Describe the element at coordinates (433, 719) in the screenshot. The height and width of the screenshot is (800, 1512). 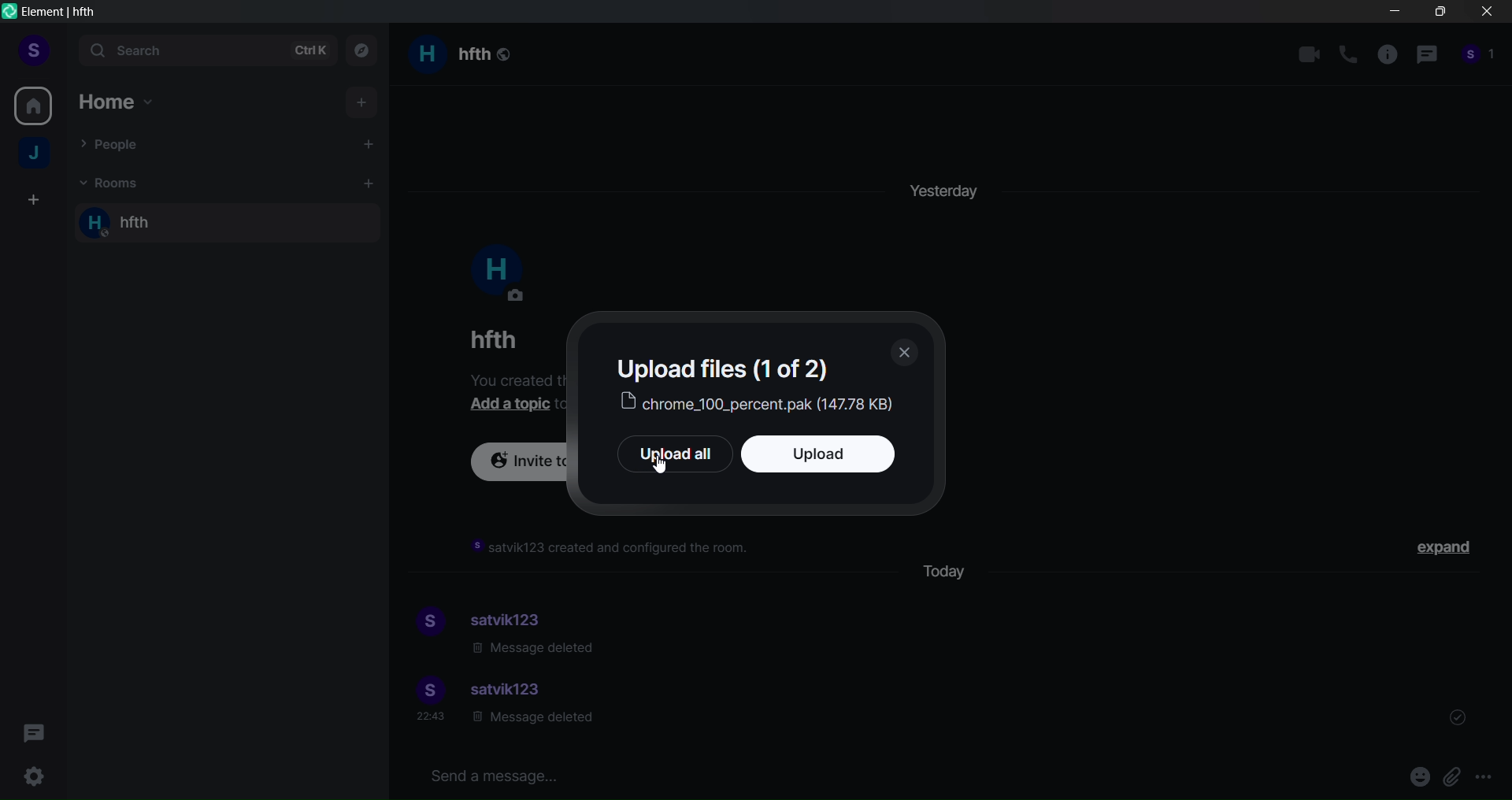
I see `time` at that location.